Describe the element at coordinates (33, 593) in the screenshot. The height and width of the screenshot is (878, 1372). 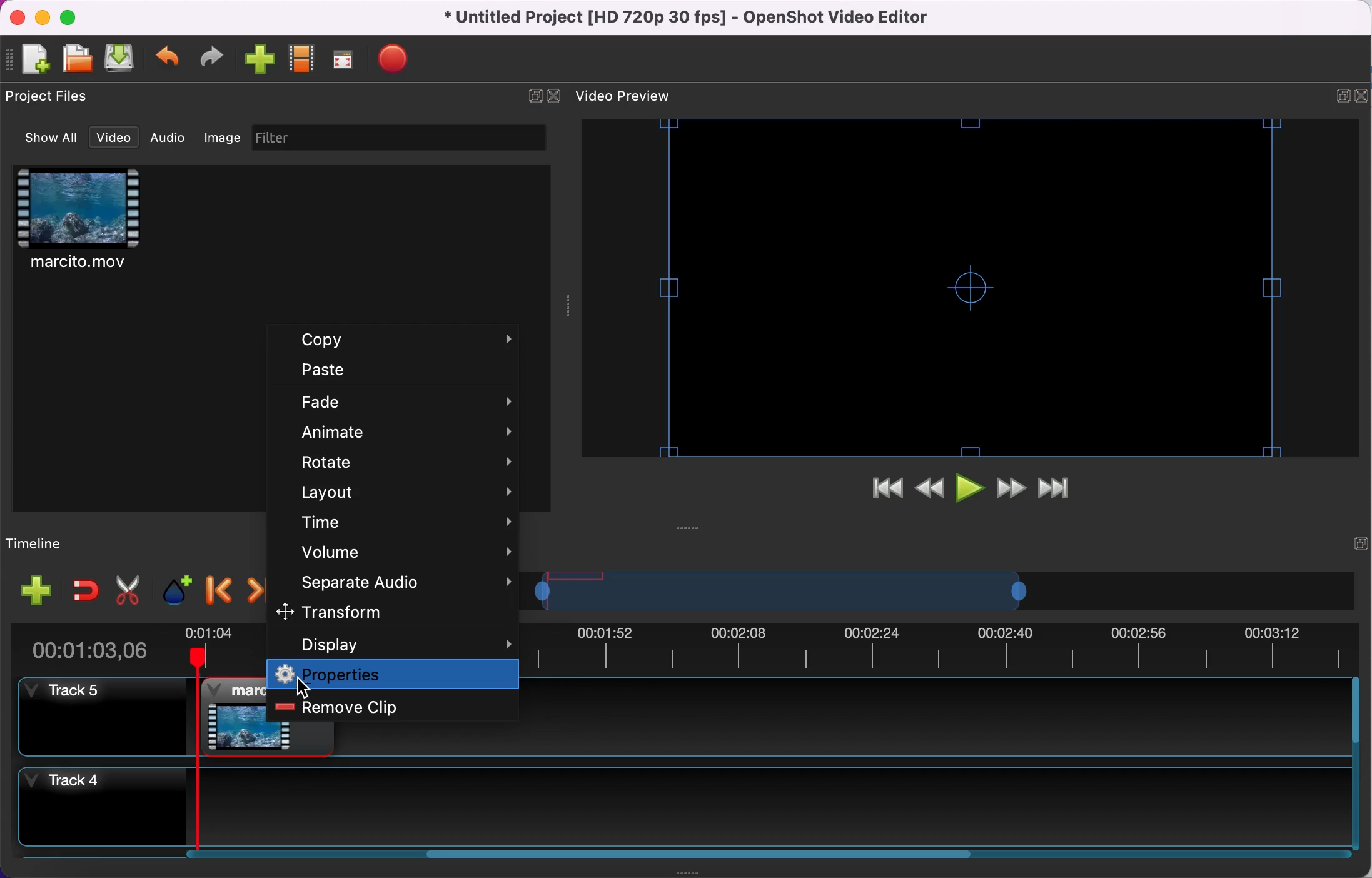
I see `add track` at that location.